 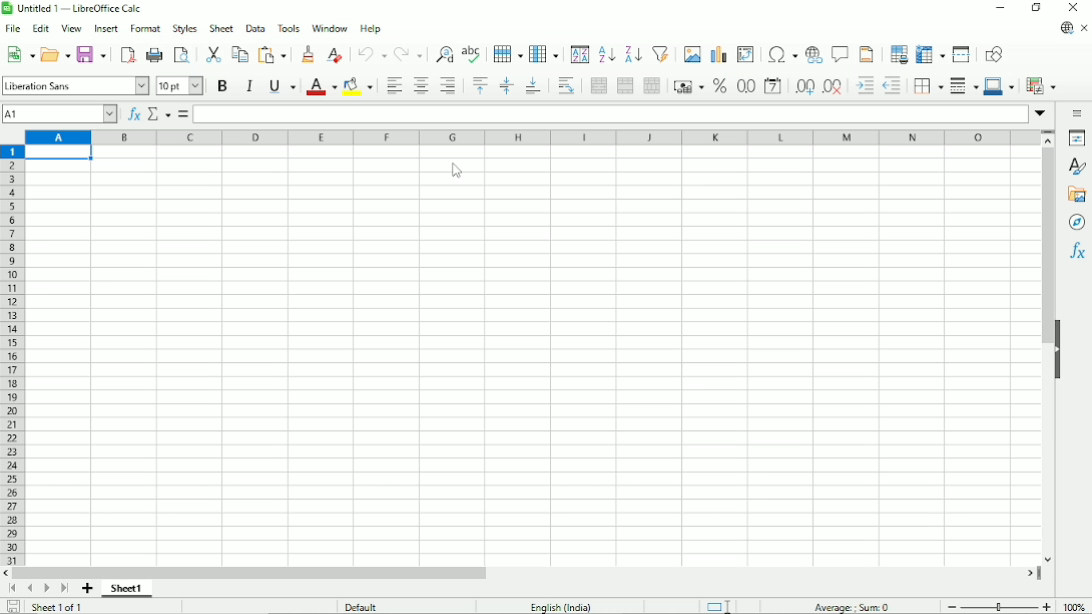 I want to click on Format, so click(x=145, y=29).